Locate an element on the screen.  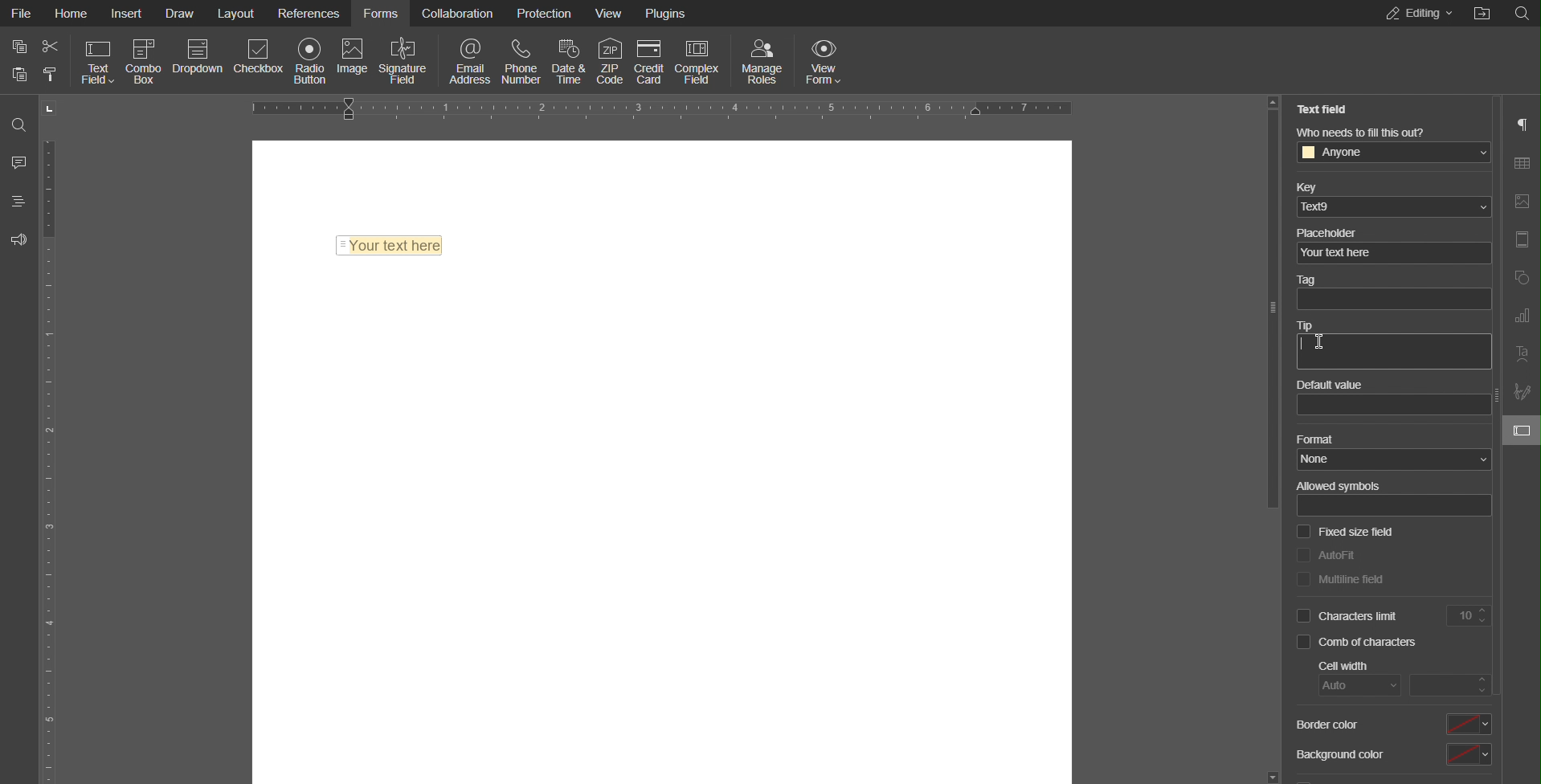
Comments is located at coordinates (19, 160).